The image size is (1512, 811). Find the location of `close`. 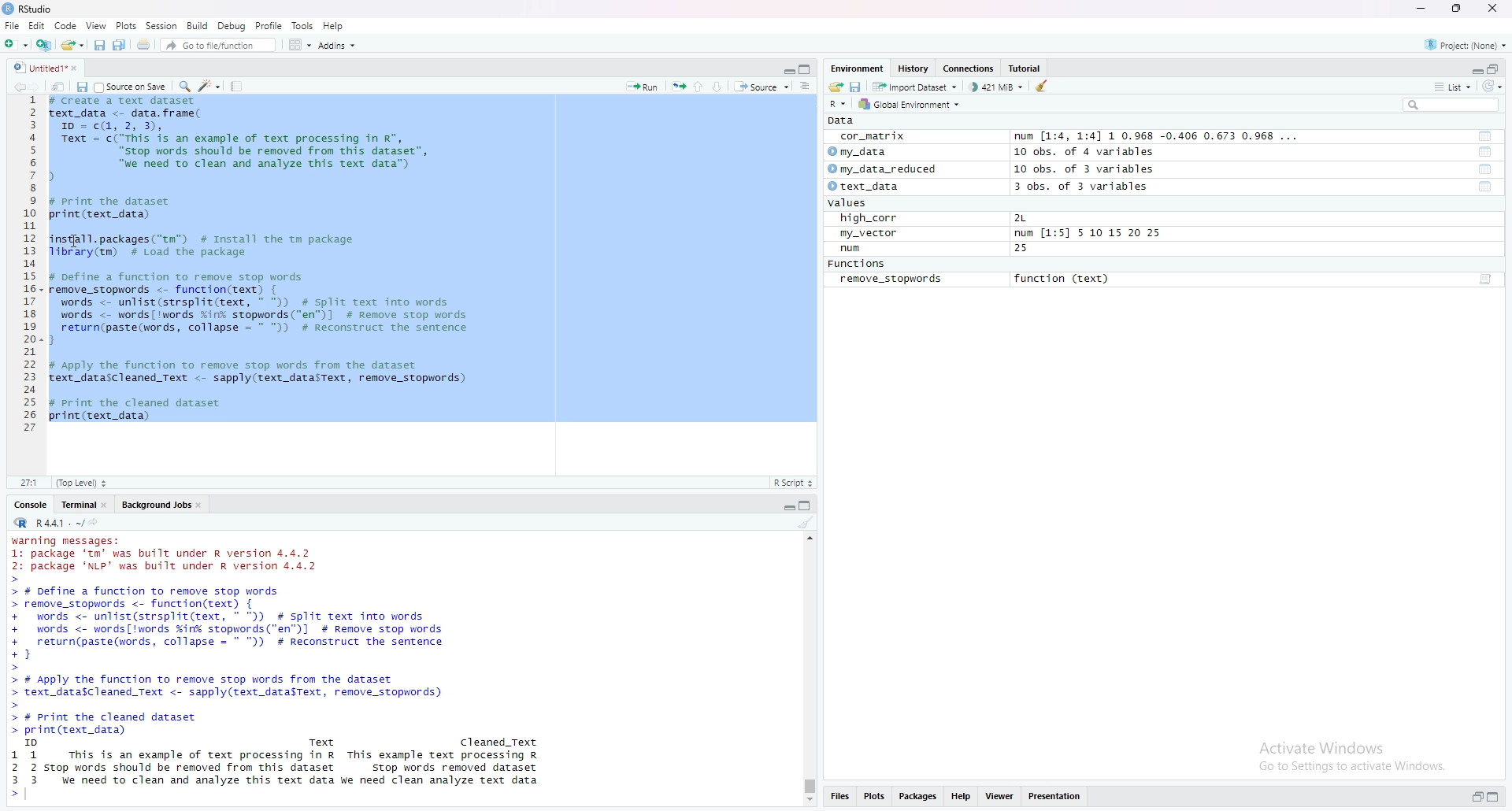

close is located at coordinates (1494, 10).